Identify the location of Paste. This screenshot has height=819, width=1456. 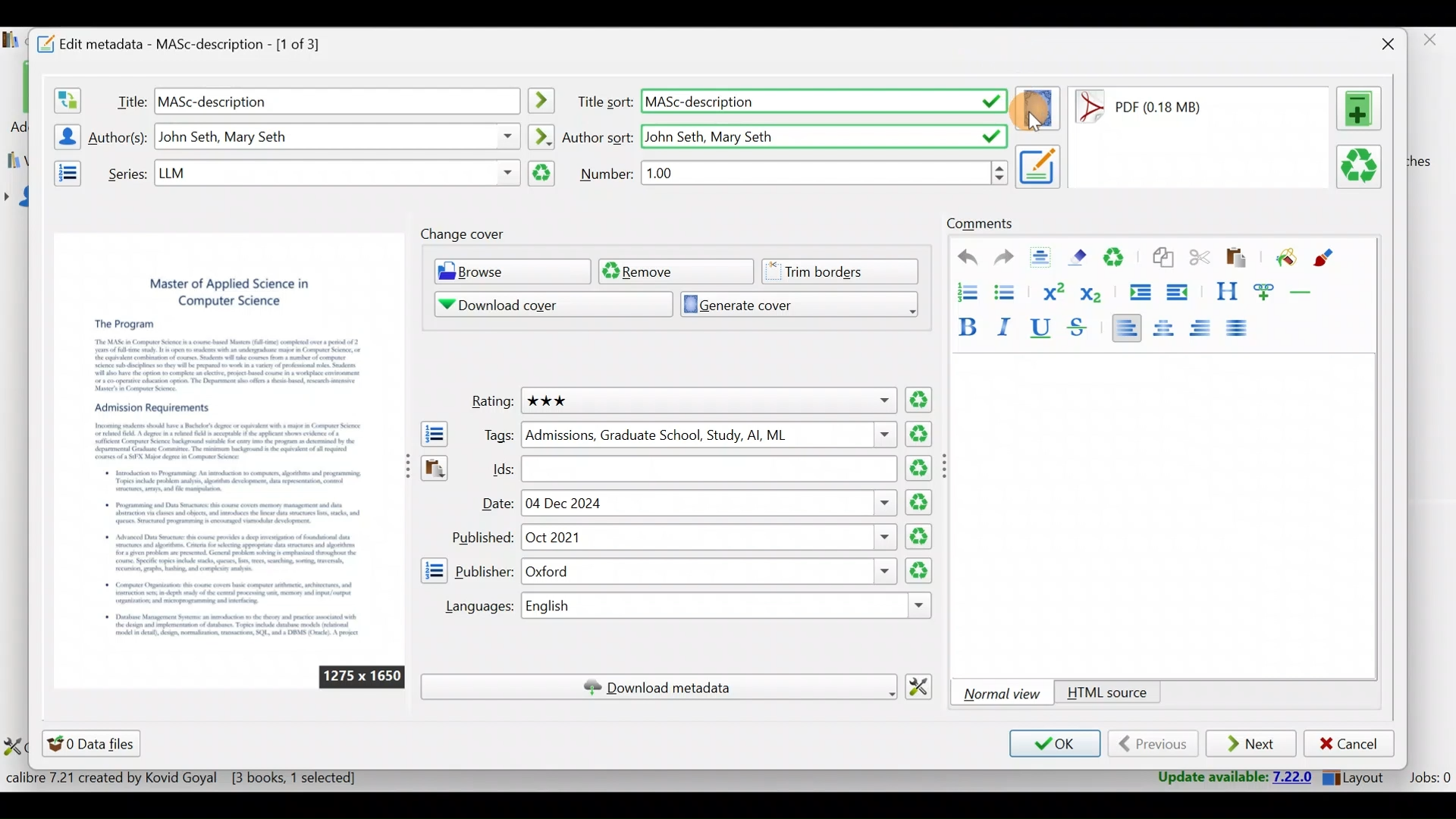
(1239, 259).